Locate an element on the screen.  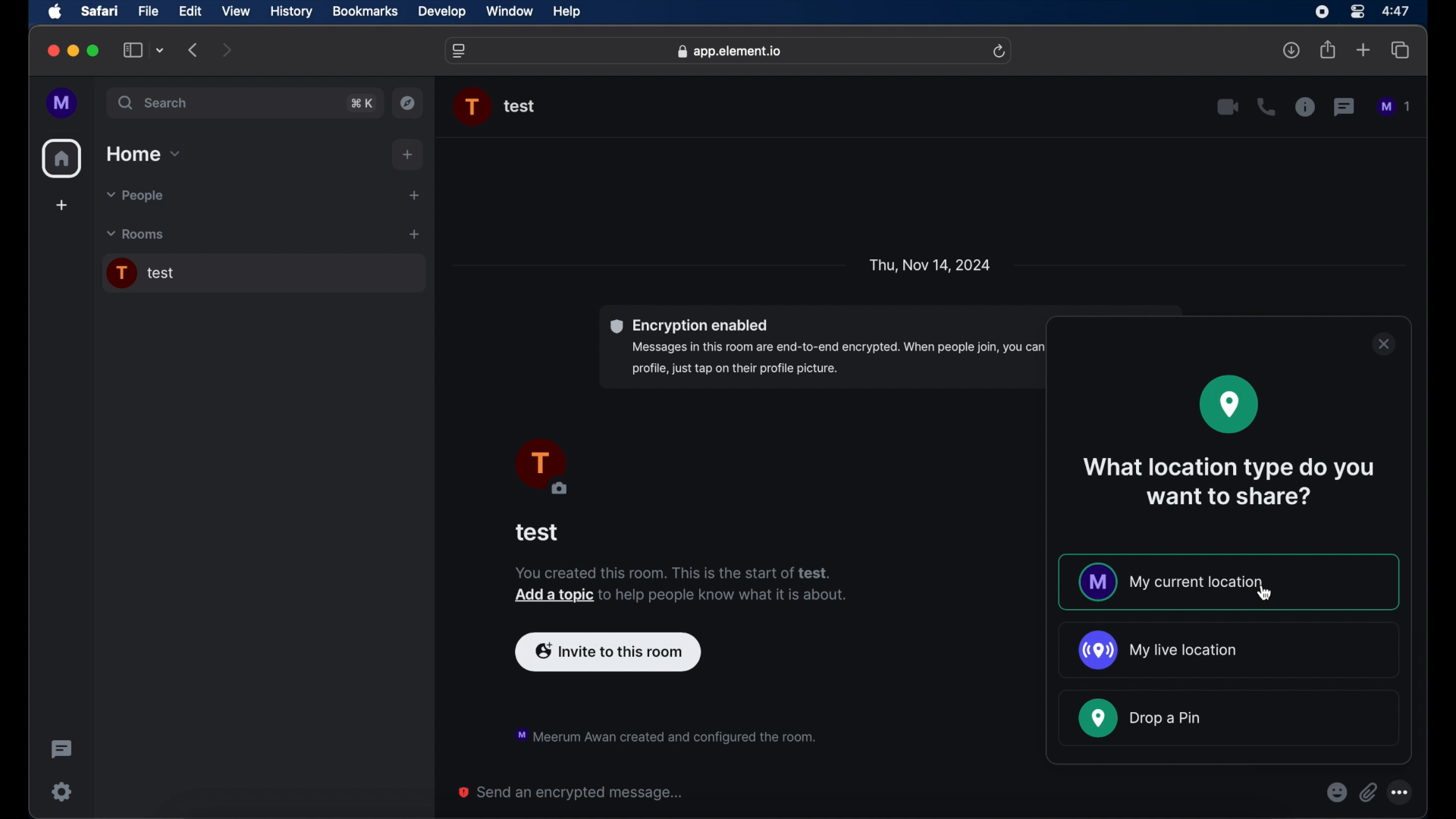
notification is located at coordinates (681, 585).